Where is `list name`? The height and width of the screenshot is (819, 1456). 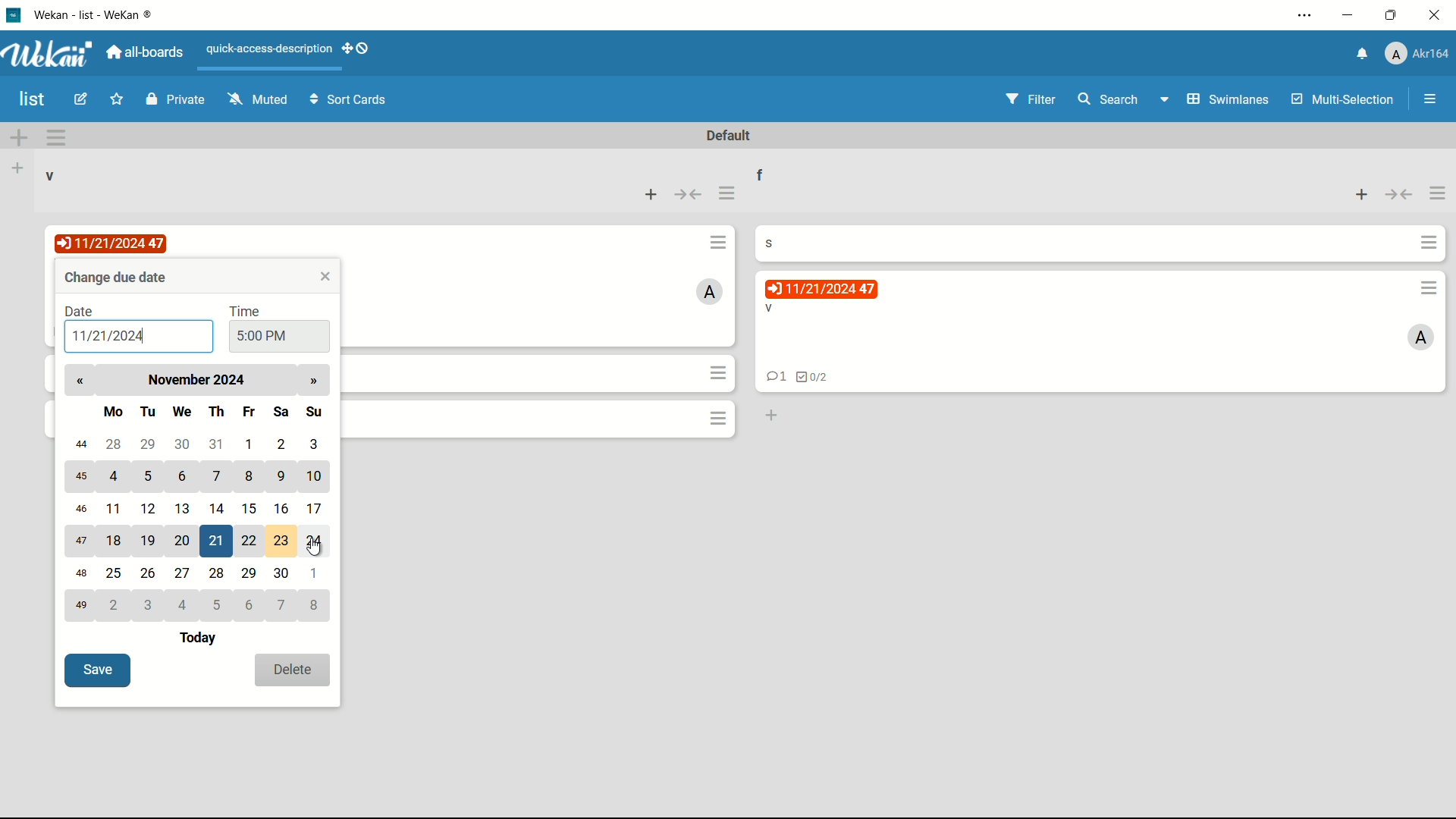 list name is located at coordinates (51, 177).